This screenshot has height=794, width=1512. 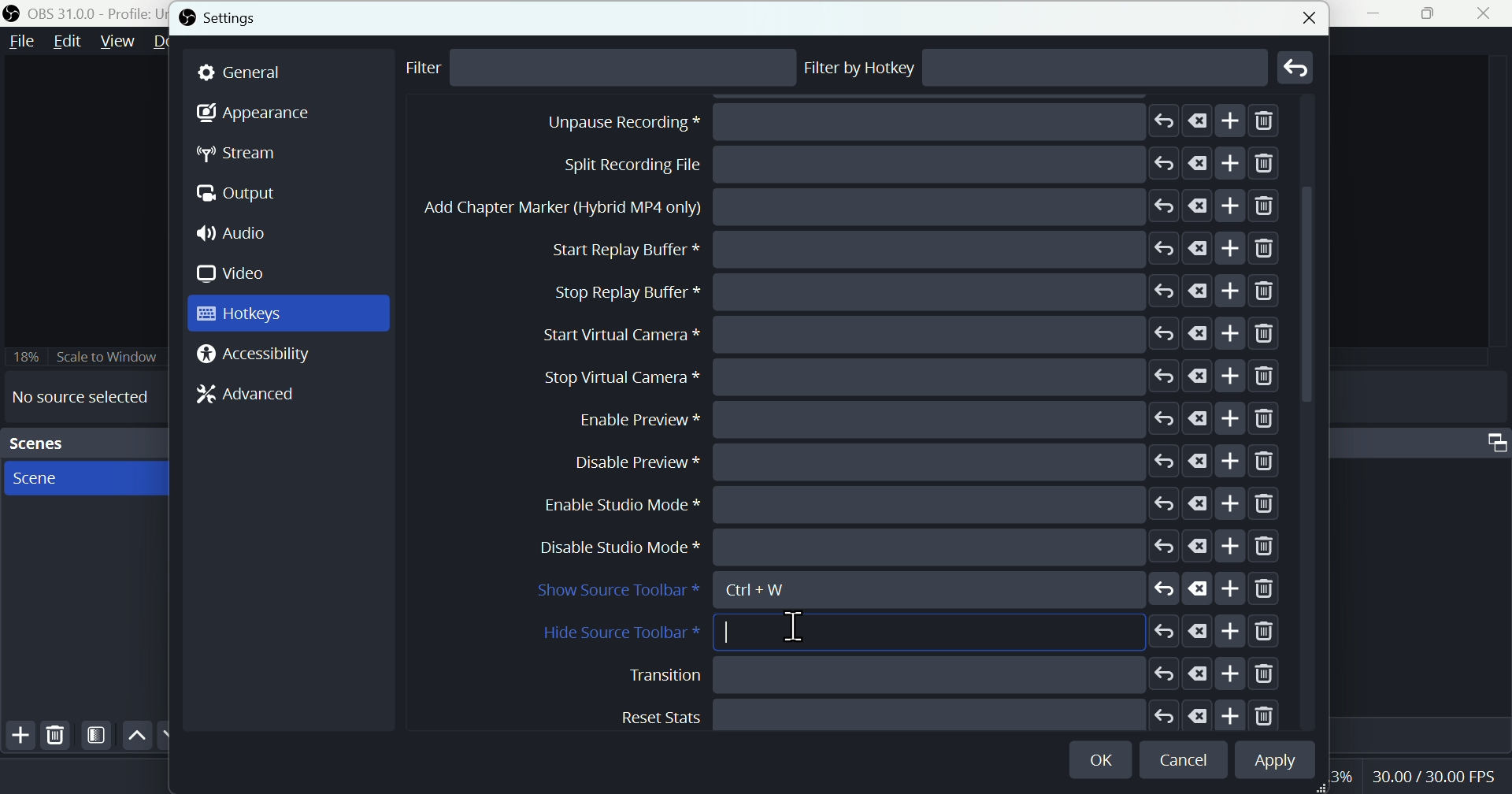 What do you see at coordinates (1272, 761) in the screenshot?
I see `Apply` at bounding box center [1272, 761].